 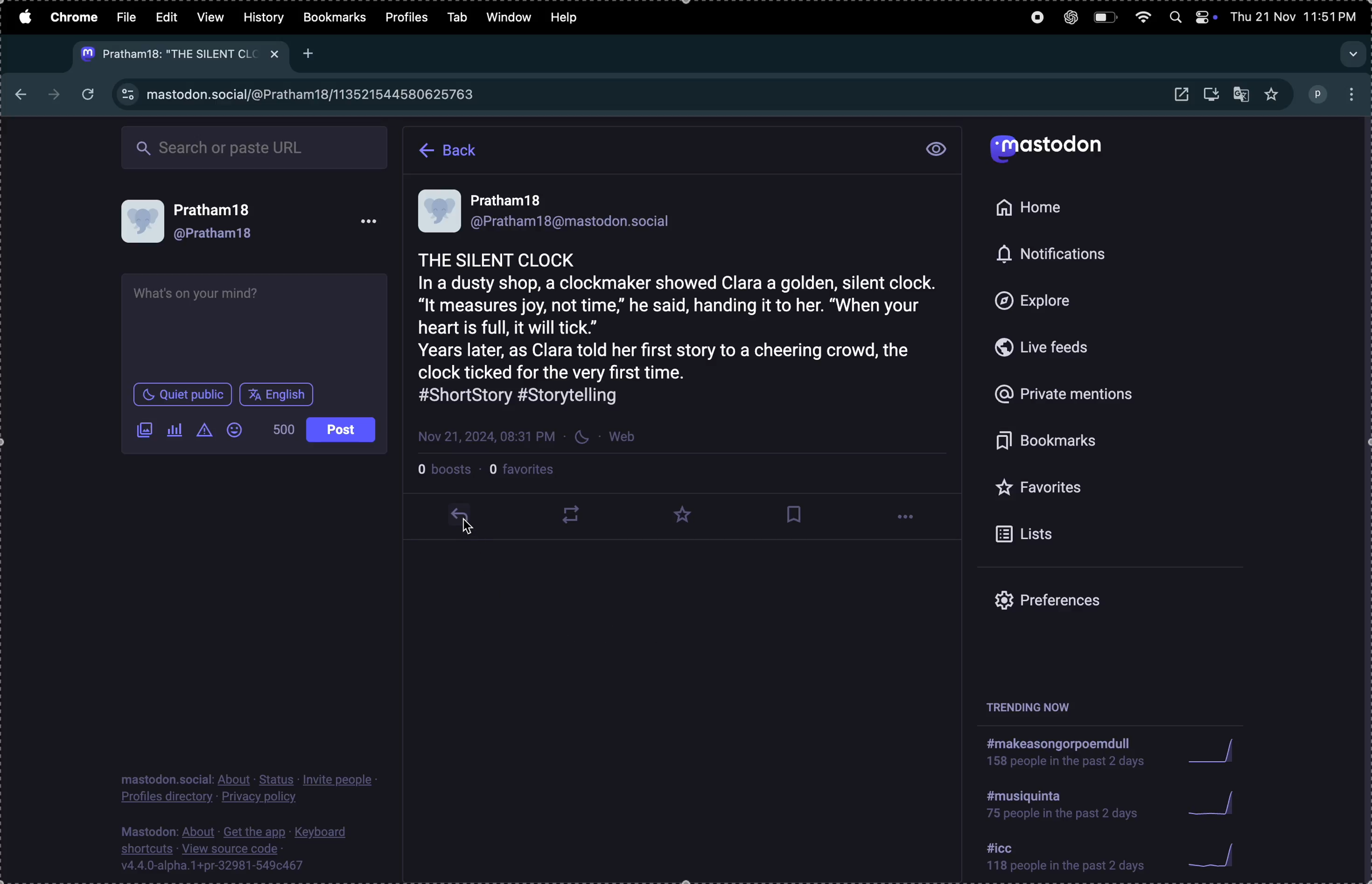 I want to click on favorites, so click(x=528, y=468).